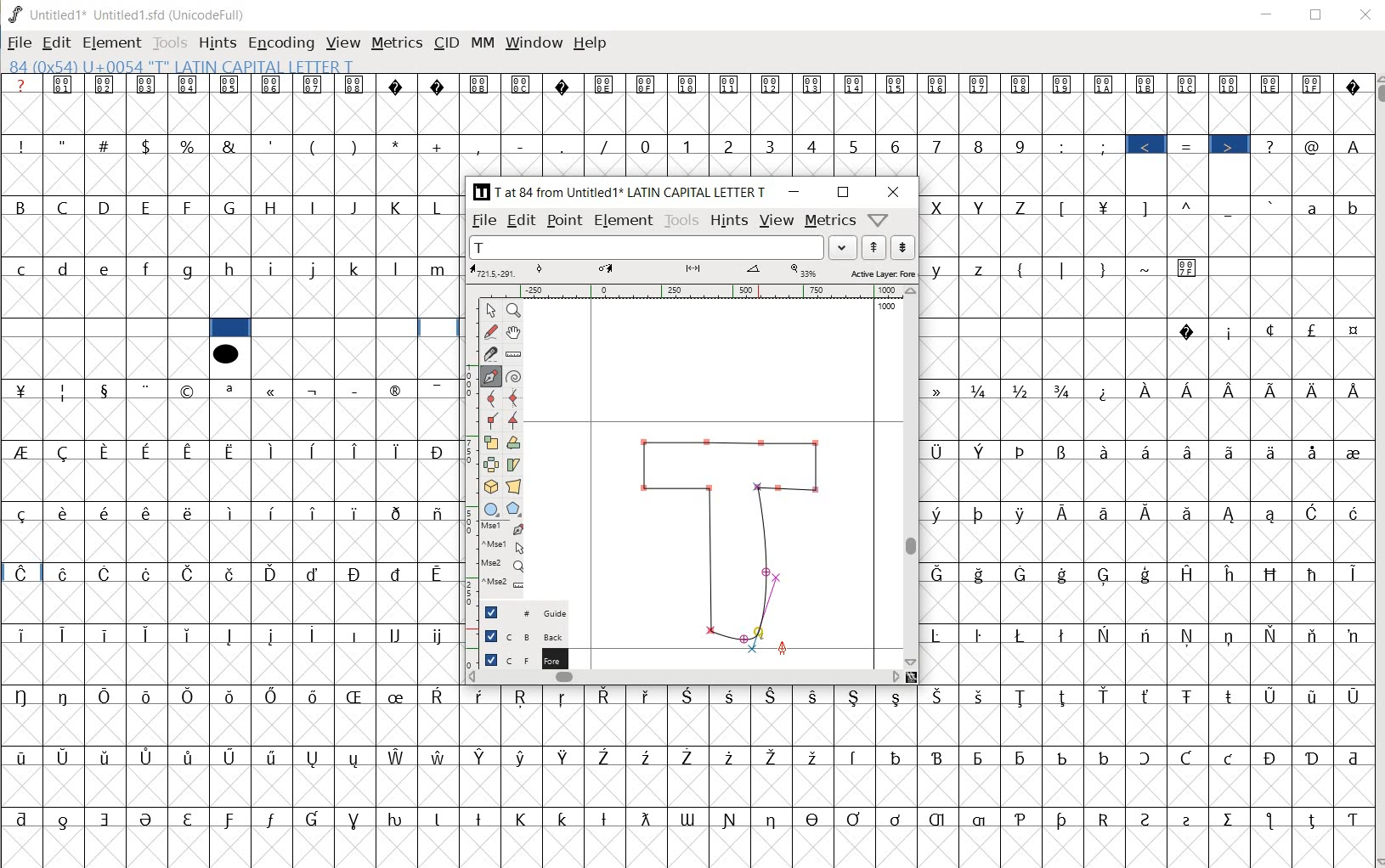  What do you see at coordinates (1377, 470) in the screenshot?
I see `scrollbar` at bounding box center [1377, 470].